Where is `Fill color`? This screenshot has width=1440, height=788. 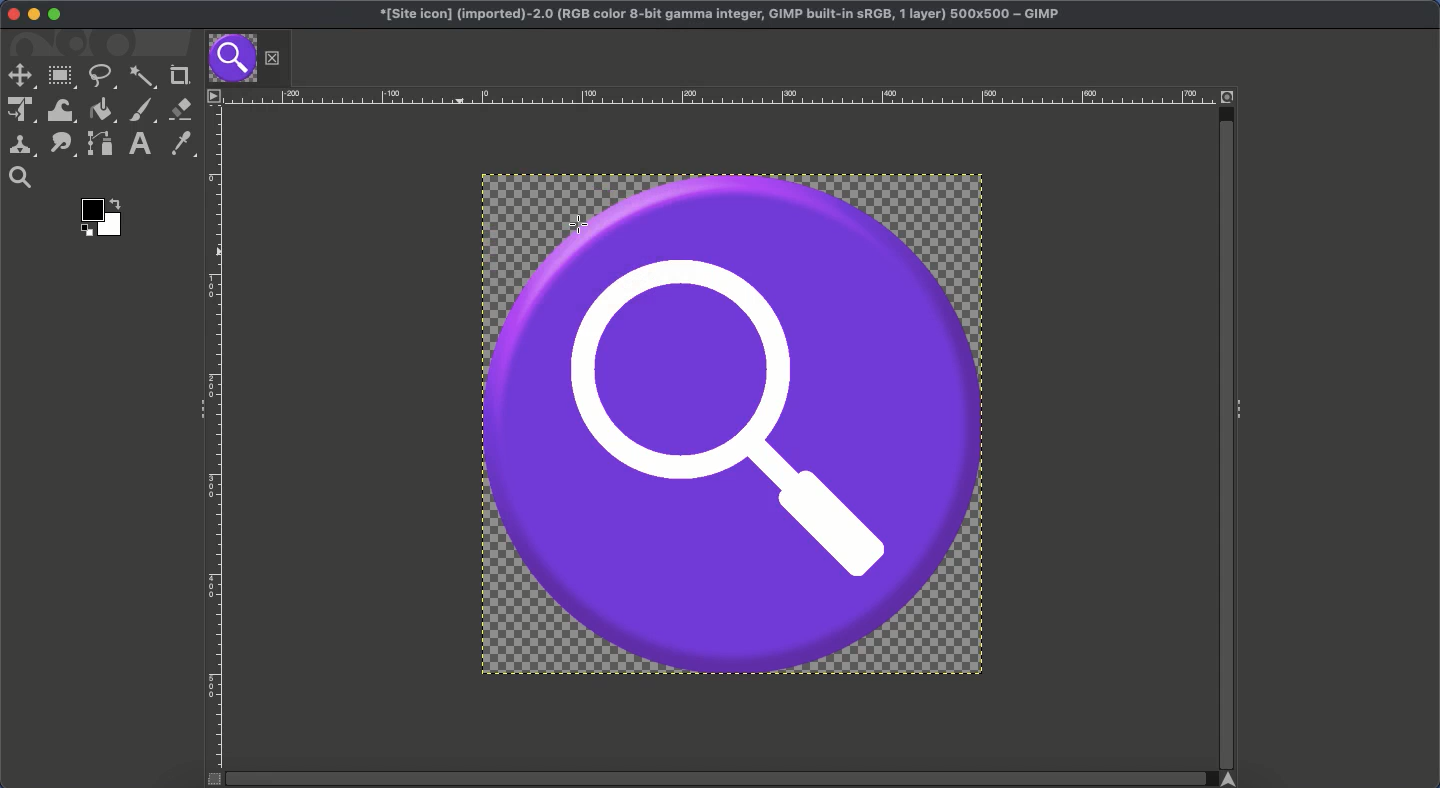
Fill color is located at coordinates (100, 111).